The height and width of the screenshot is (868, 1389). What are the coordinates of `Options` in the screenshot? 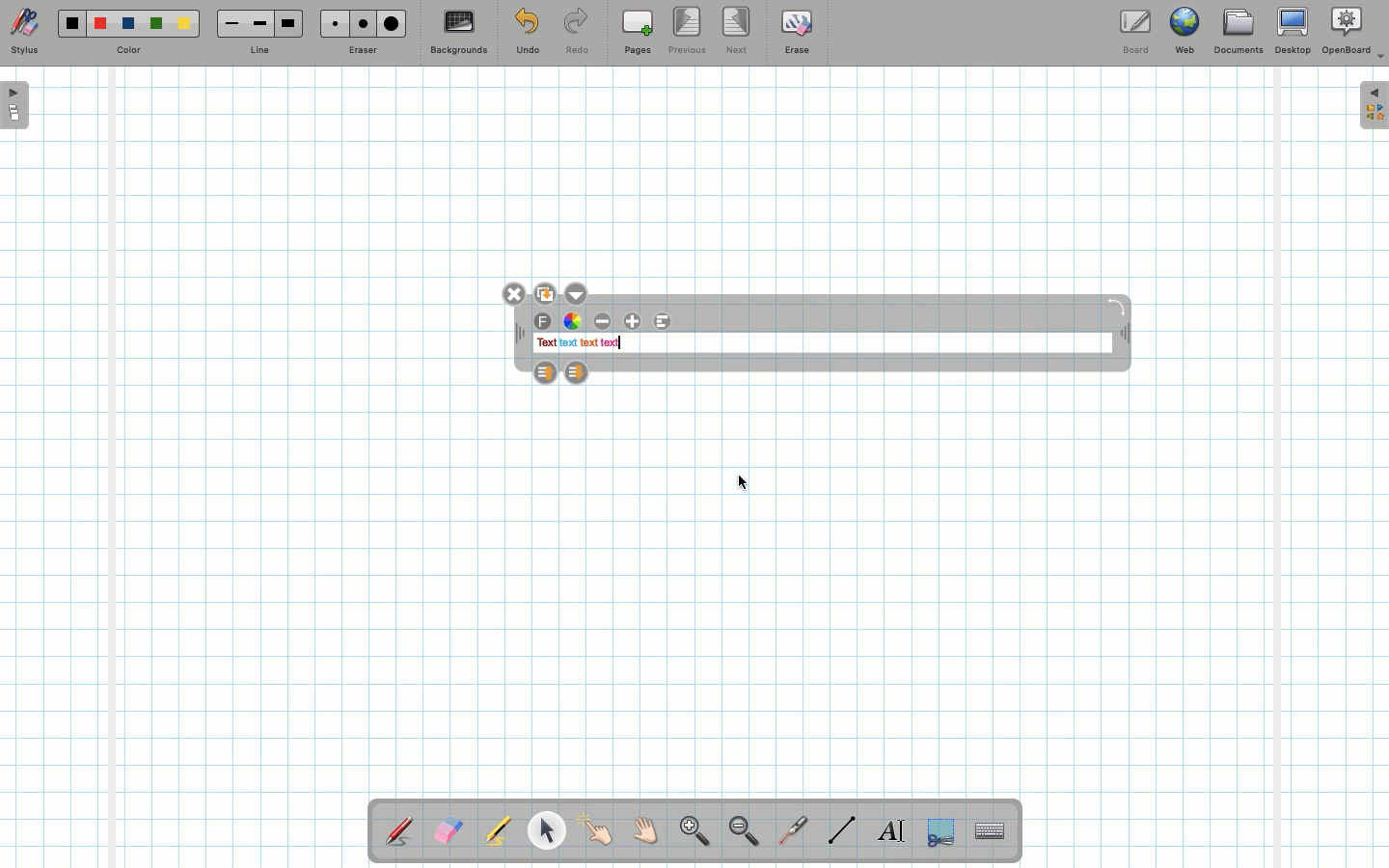 It's located at (581, 292).